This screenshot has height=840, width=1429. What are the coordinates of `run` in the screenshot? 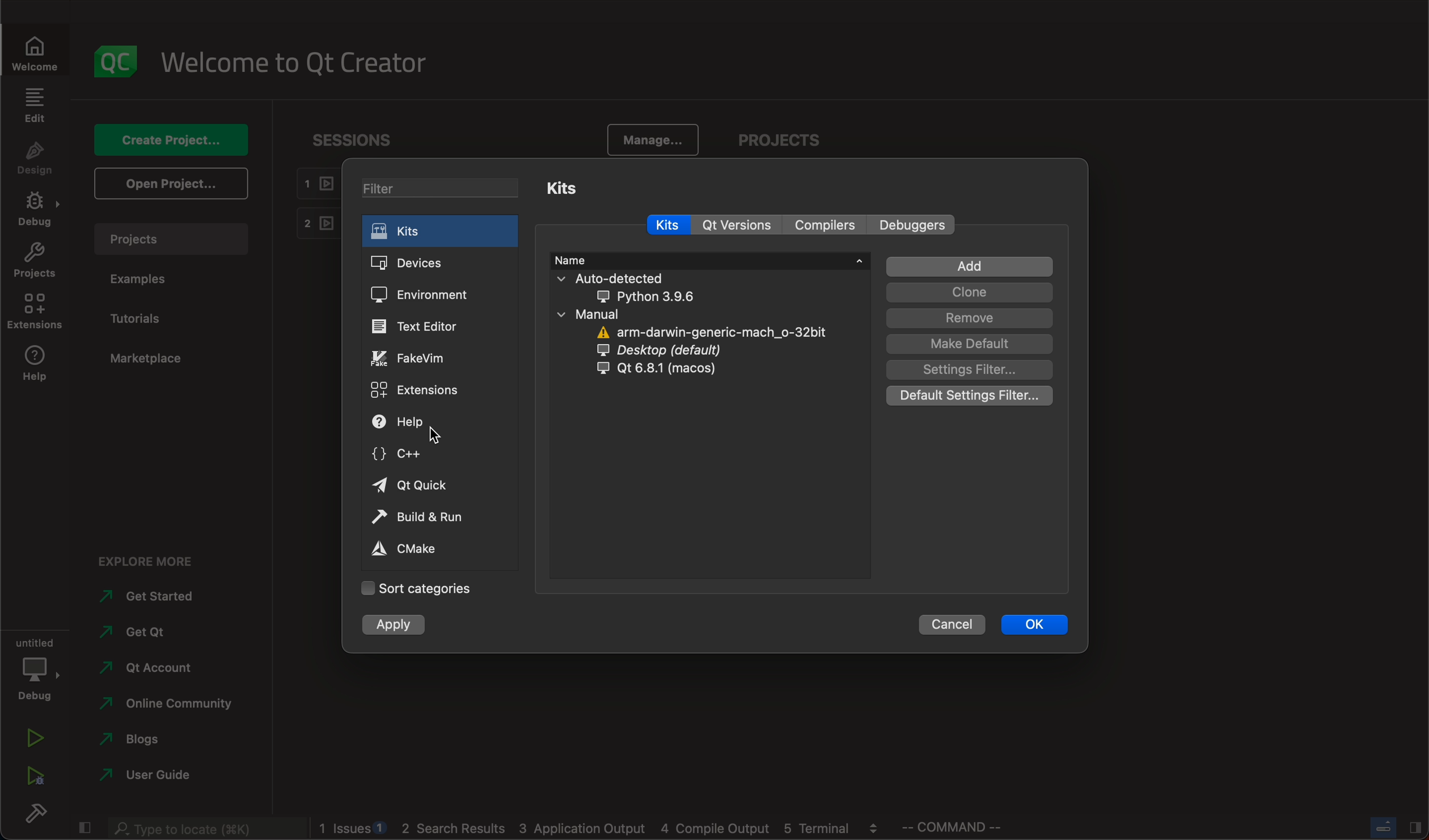 It's located at (423, 515).